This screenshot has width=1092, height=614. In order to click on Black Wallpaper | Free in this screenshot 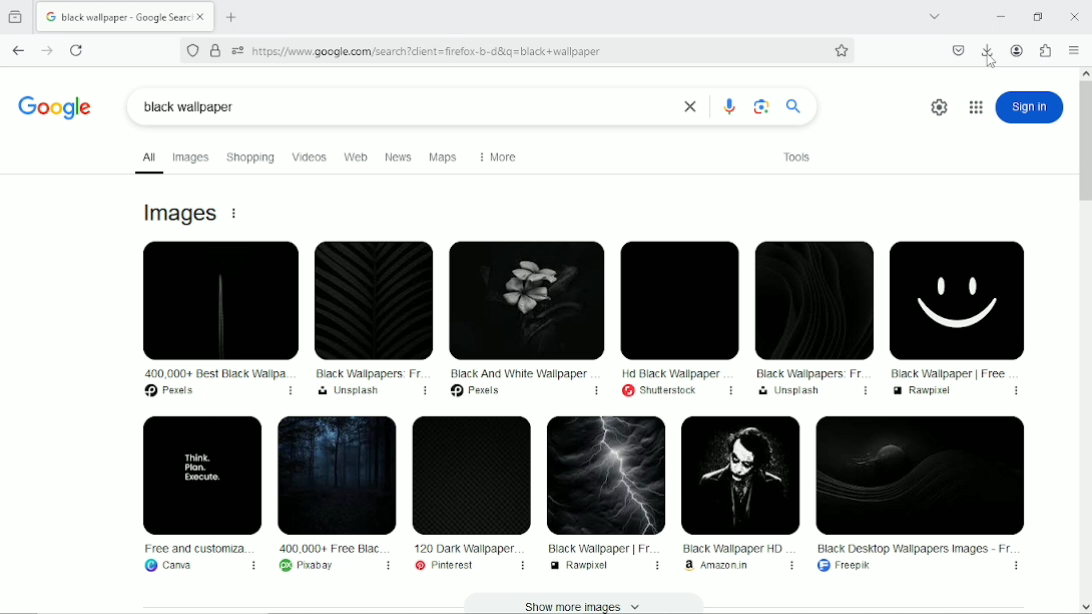, I will do `click(956, 317)`.